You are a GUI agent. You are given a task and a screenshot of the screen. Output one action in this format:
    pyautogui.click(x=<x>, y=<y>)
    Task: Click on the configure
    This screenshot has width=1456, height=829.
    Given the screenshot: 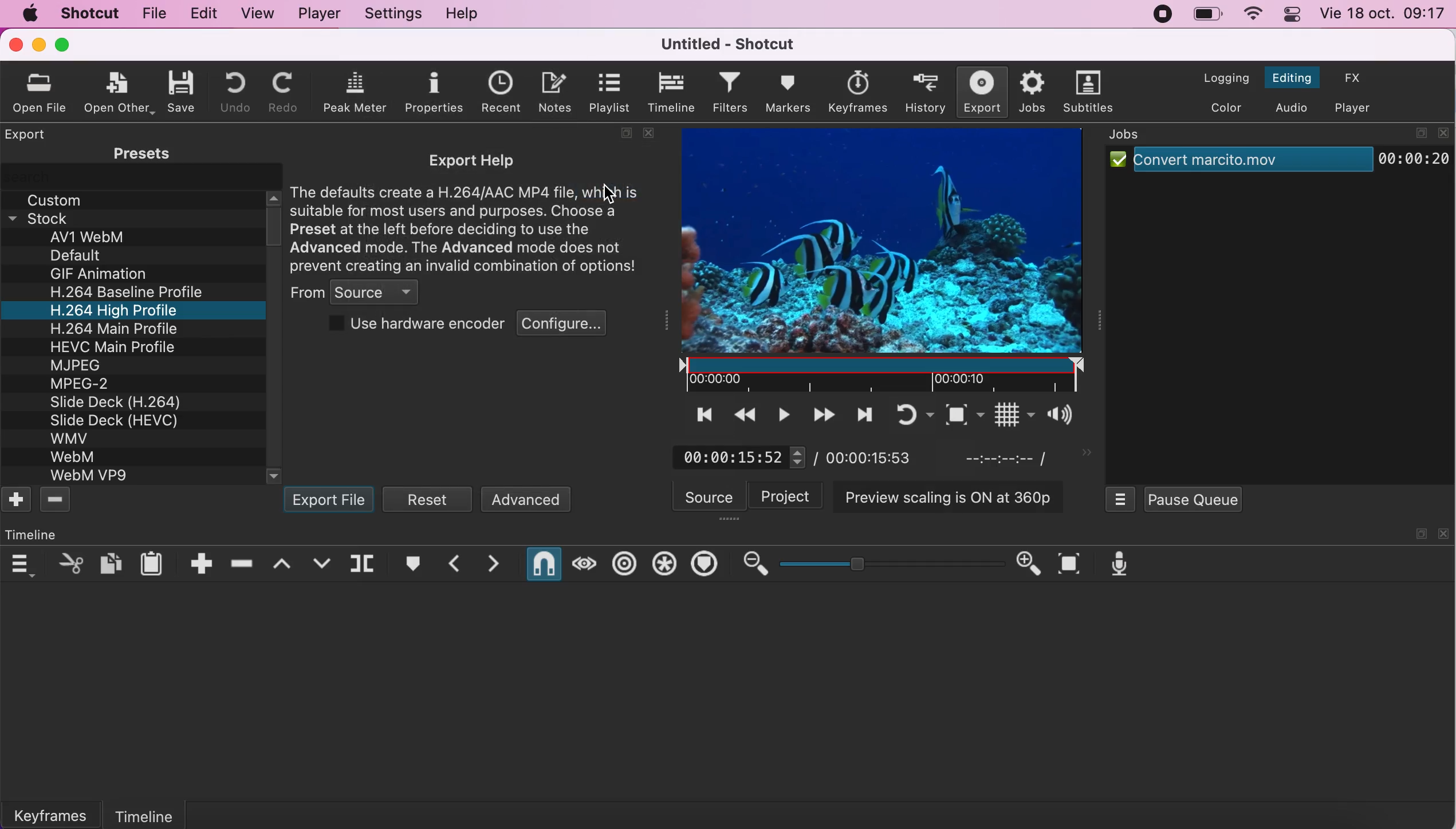 What is the action you would take?
    pyautogui.click(x=565, y=326)
    